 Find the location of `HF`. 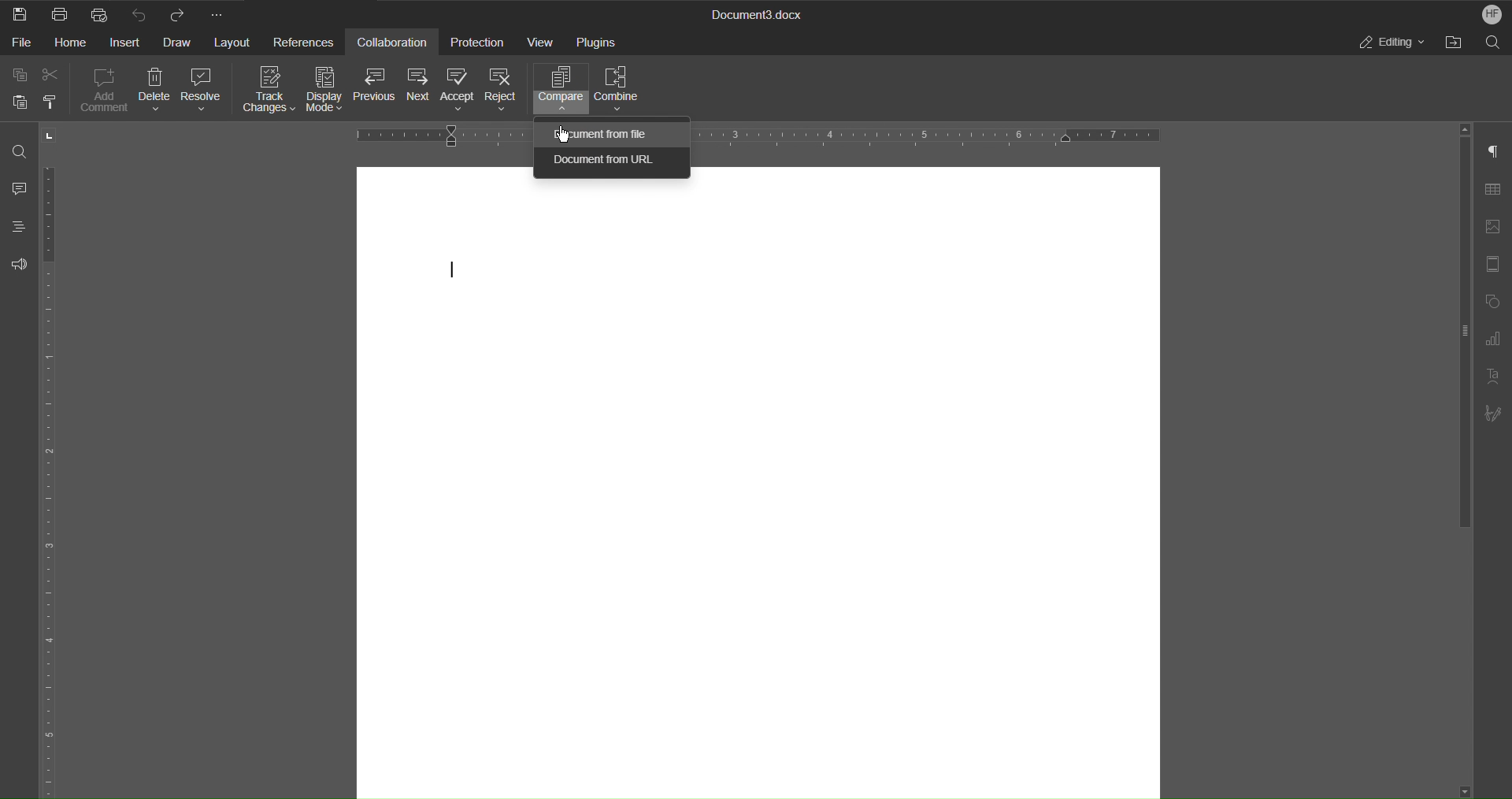

HF is located at coordinates (1492, 13).